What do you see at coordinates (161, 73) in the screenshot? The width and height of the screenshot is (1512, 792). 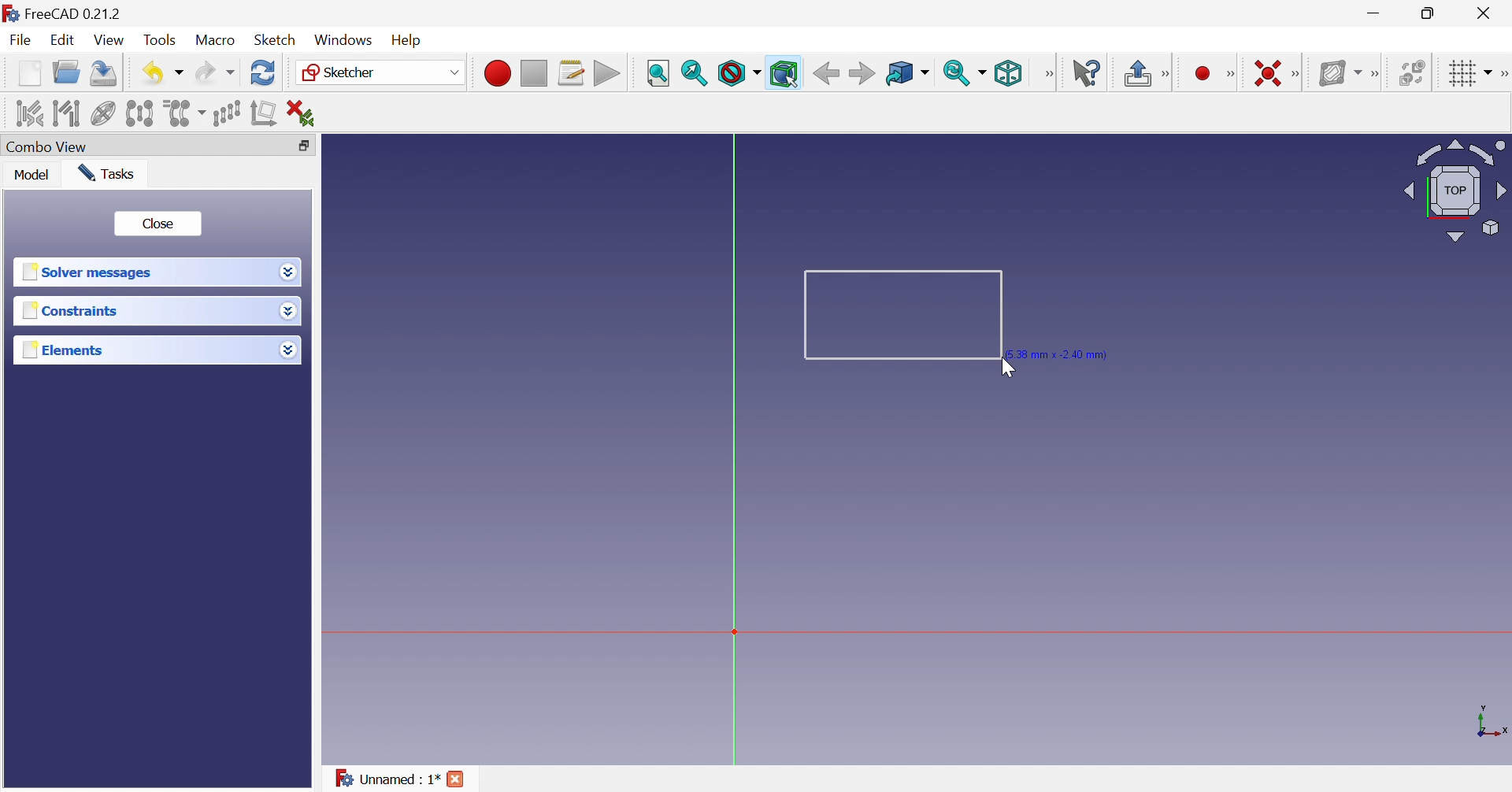 I see `Save` at bounding box center [161, 73].